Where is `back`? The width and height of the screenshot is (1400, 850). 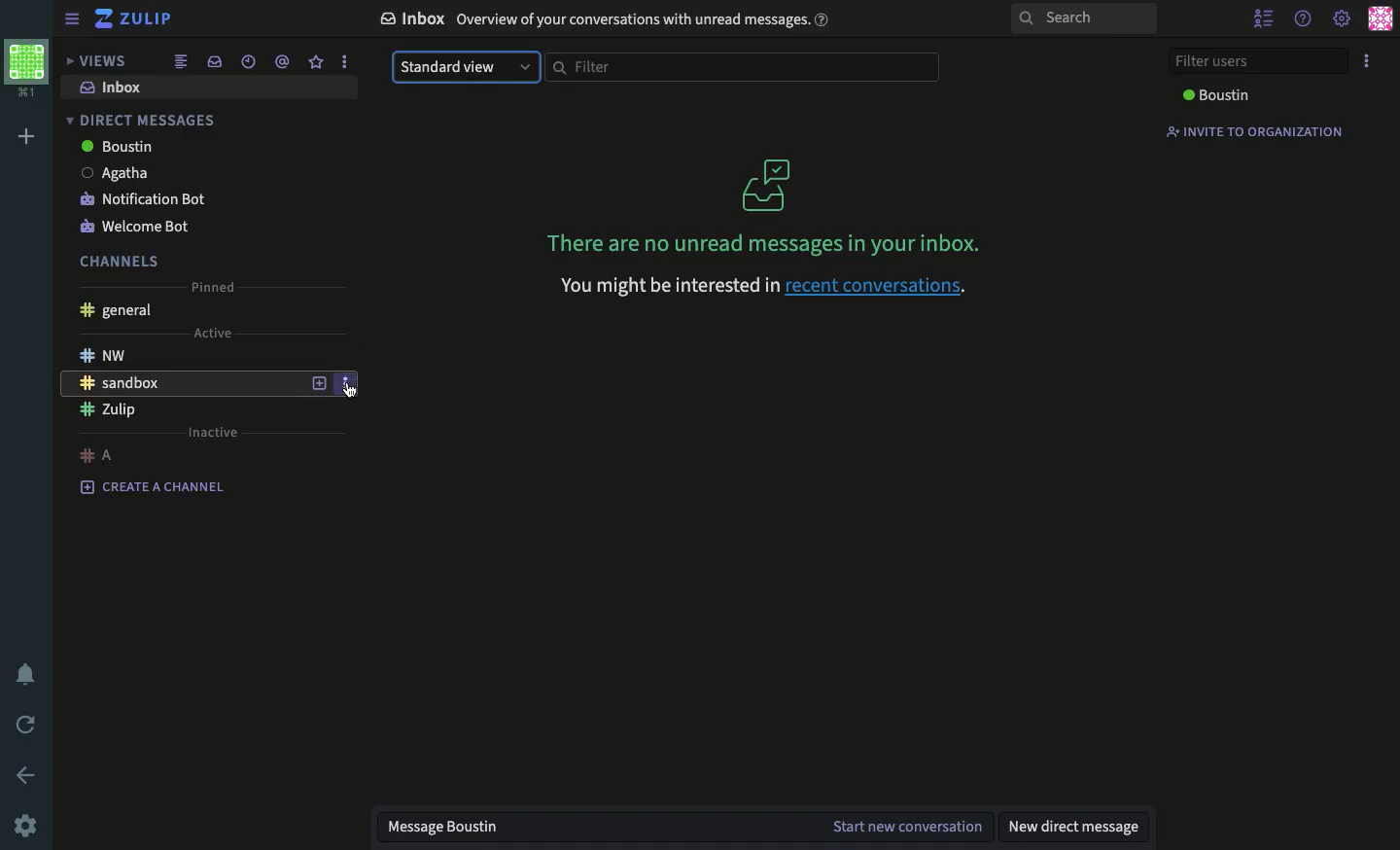
back is located at coordinates (26, 775).